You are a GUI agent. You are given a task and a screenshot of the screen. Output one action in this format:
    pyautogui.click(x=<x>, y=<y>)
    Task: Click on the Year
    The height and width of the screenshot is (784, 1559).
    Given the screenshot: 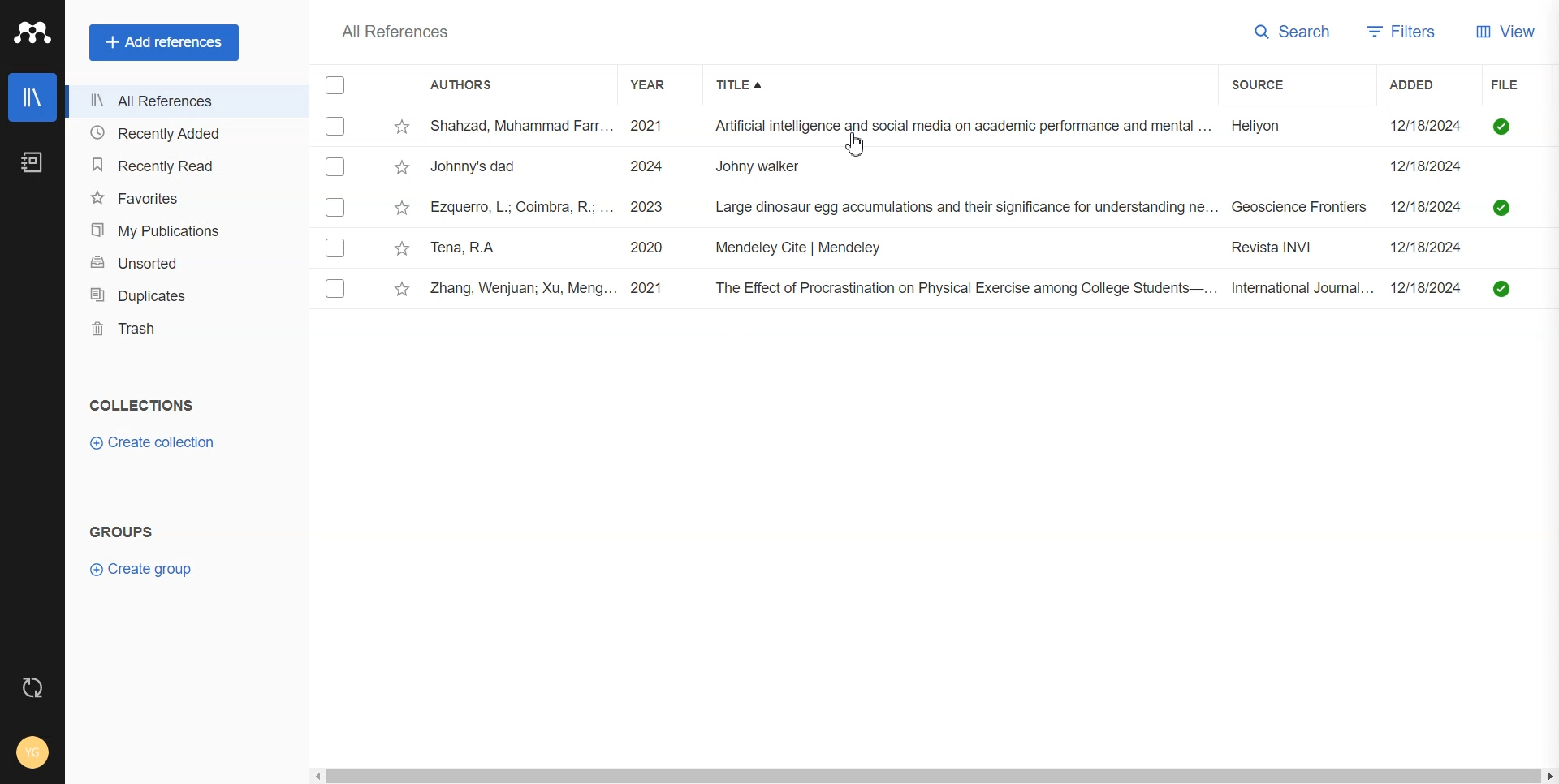 What is the action you would take?
    pyautogui.click(x=660, y=86)
    